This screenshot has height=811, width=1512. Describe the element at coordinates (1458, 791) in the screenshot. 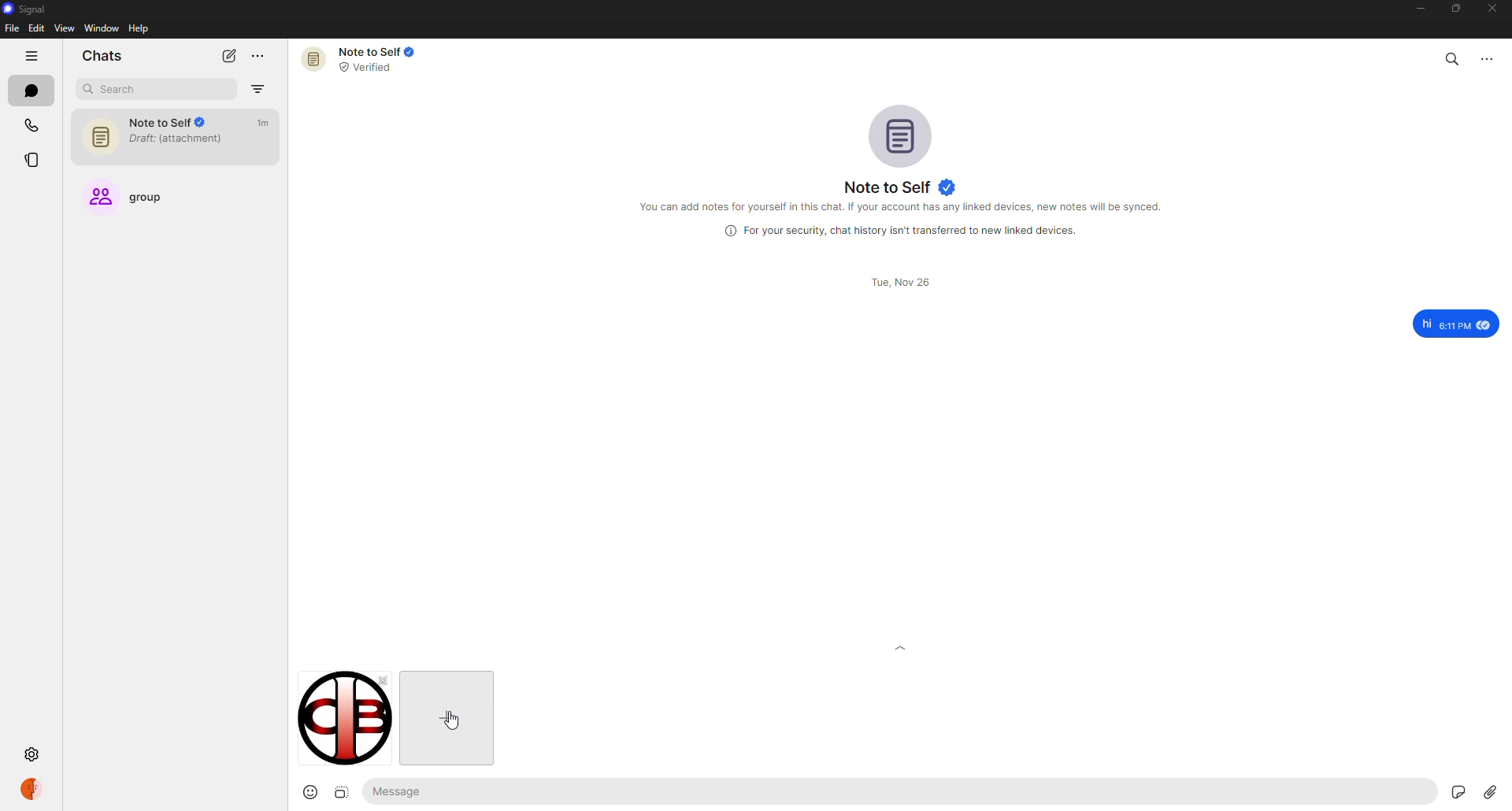

I see `stickers` at that location.